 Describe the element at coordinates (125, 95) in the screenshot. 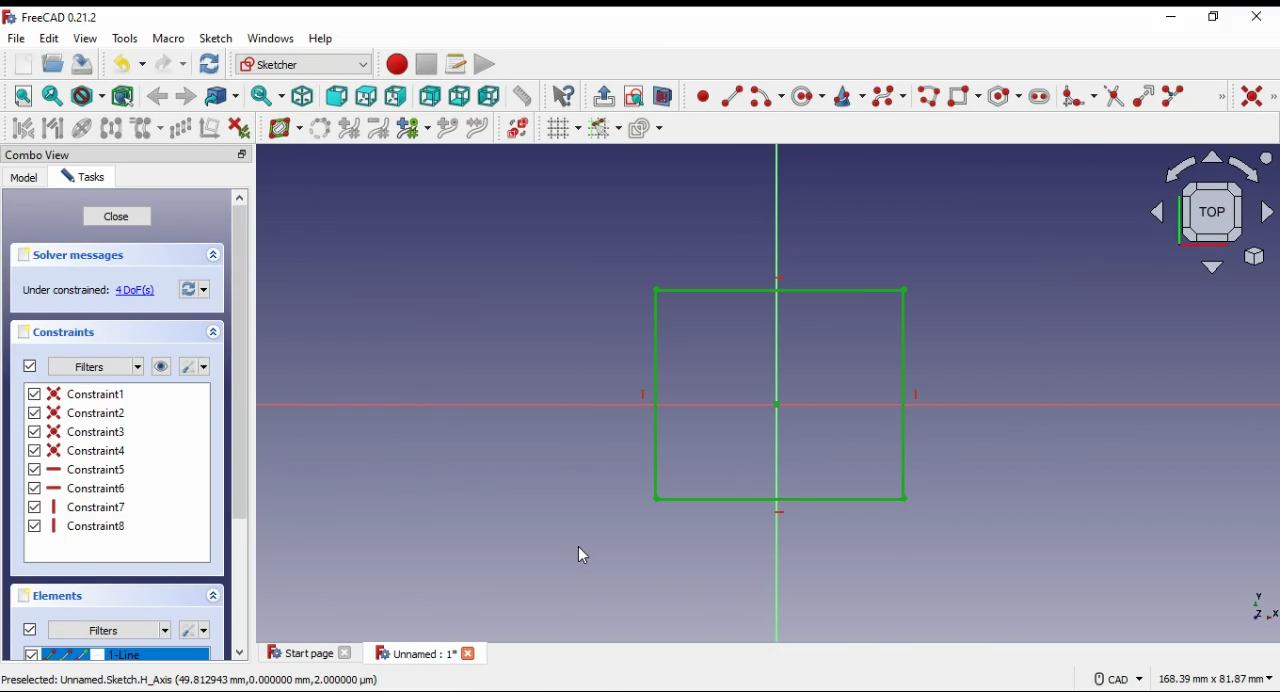

I see `select associated geometry` at that location.